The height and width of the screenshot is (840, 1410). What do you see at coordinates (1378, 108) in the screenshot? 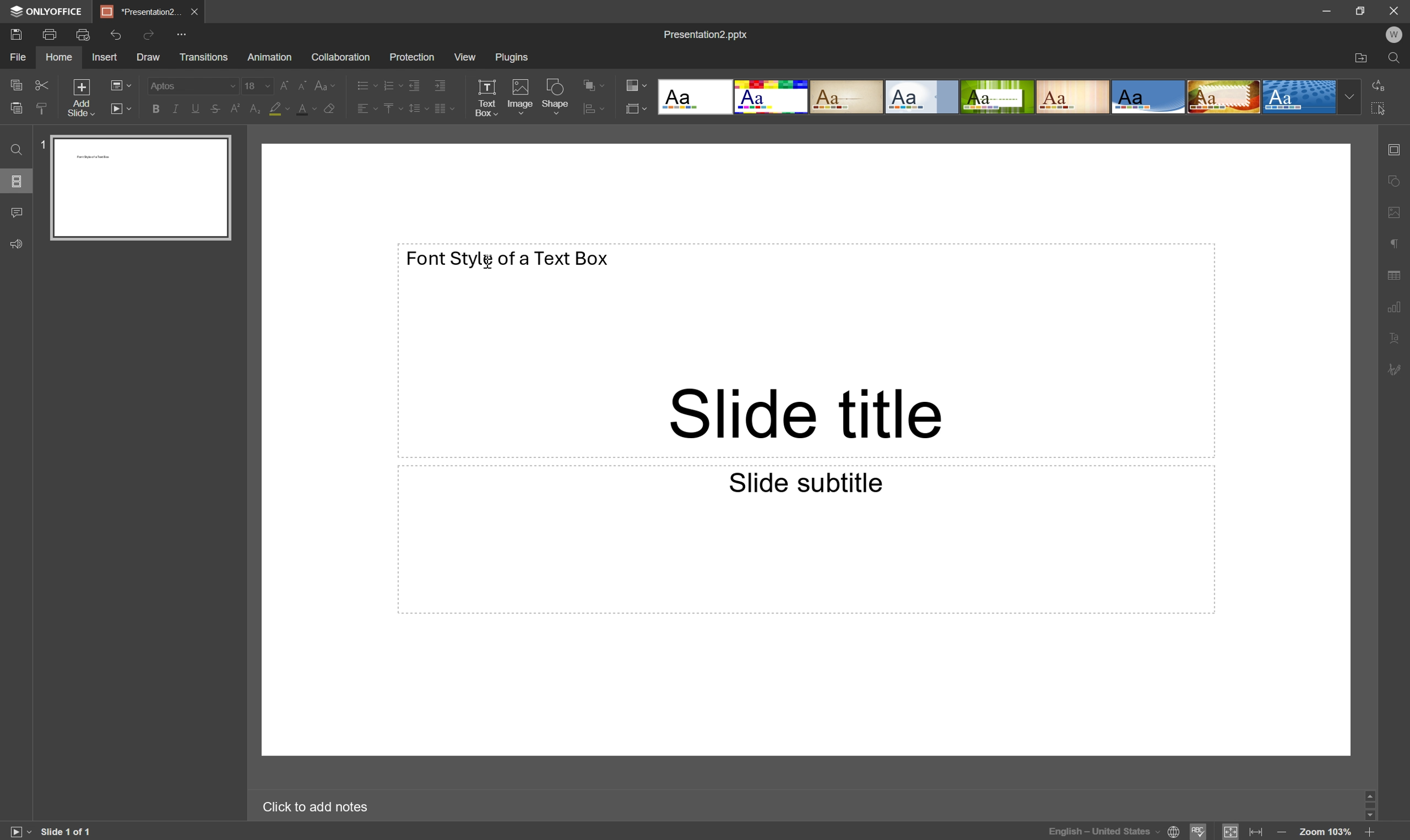
I see `Select All` at bounding box center [1378, 108].